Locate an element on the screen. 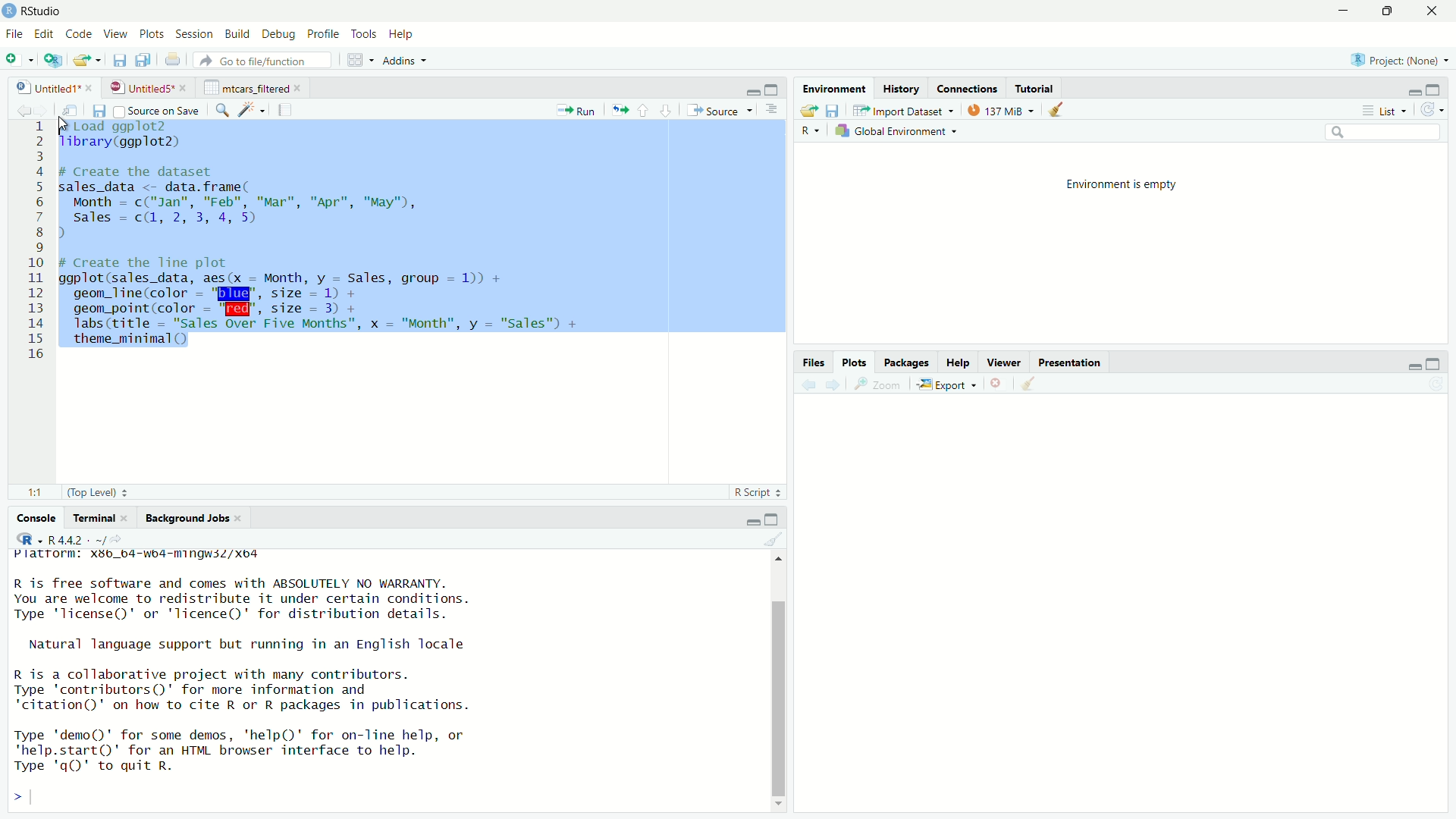 The height and width of the screenshot is (819, 1456). R is located at coordinates (811, 132).